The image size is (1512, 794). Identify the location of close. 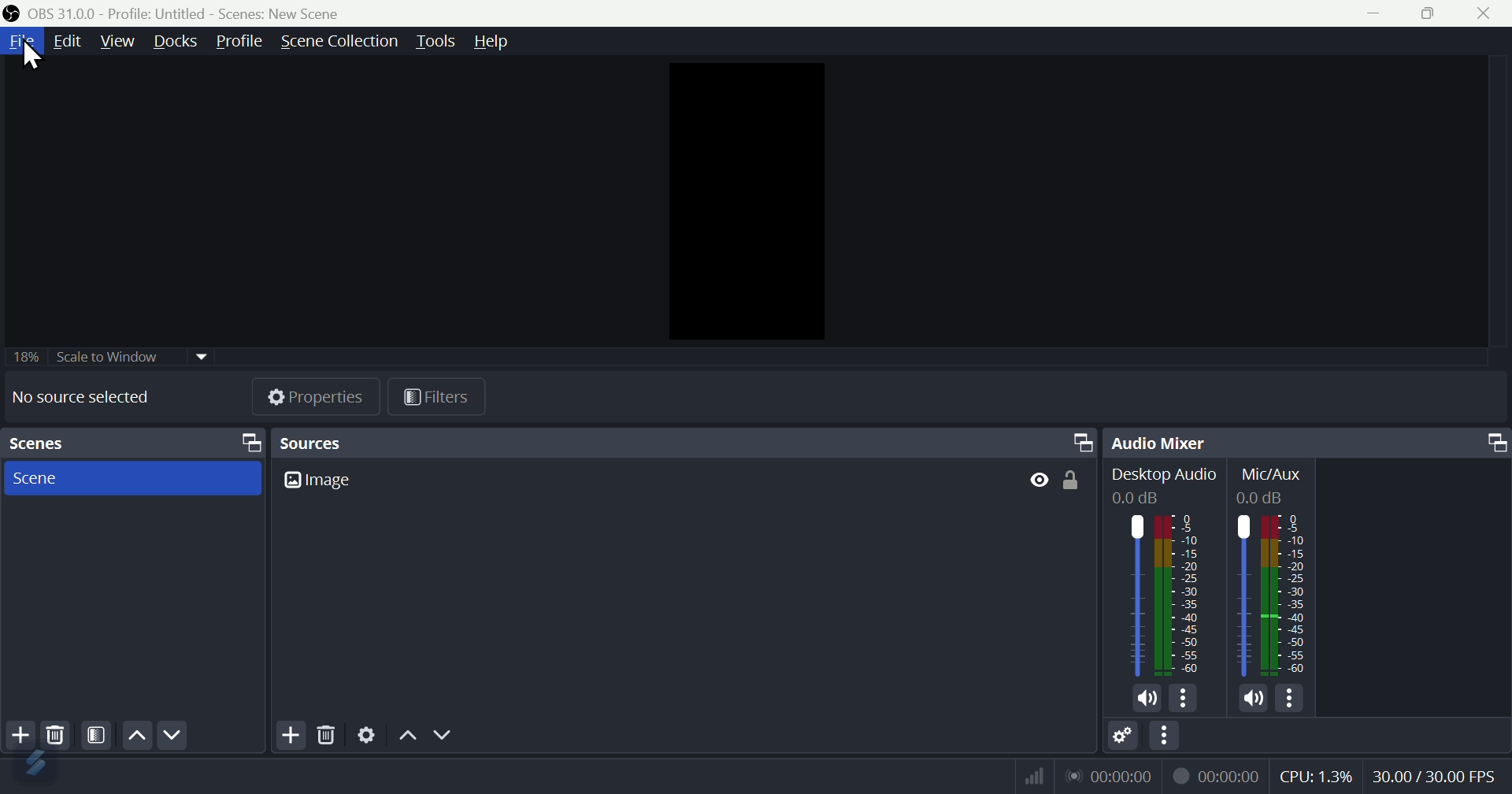
(1488, 13).